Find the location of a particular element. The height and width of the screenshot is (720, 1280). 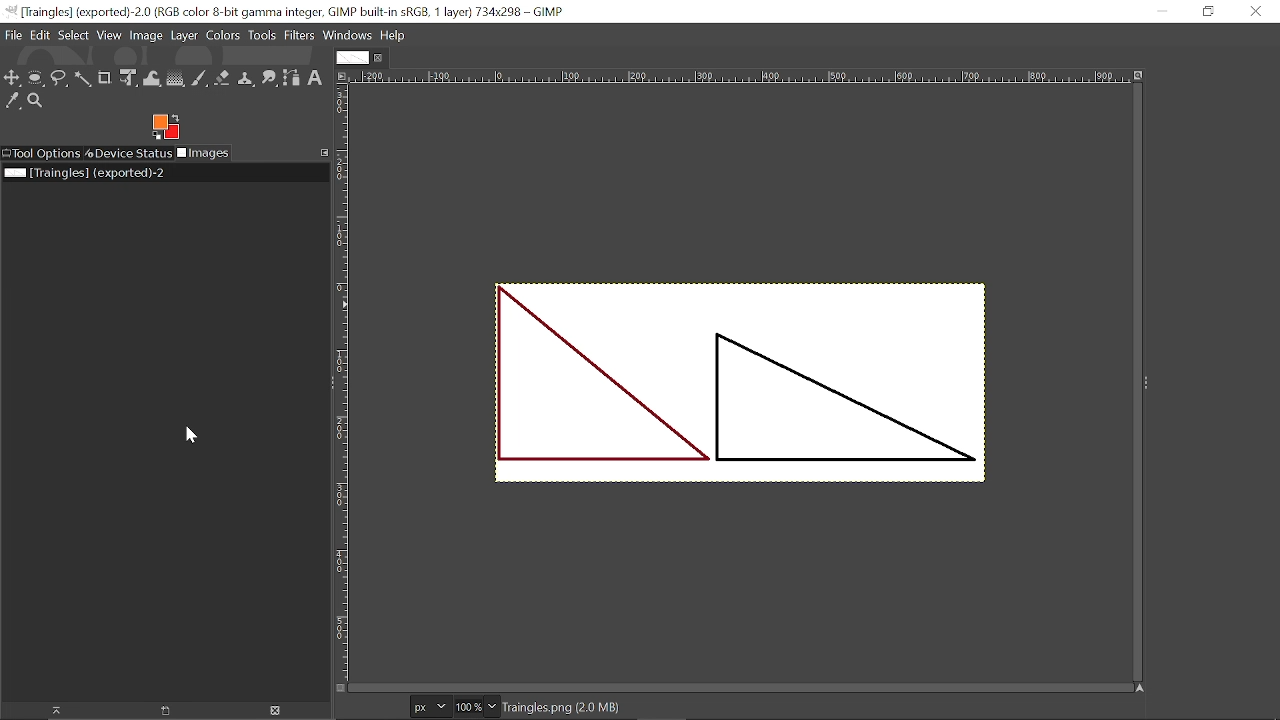

Raise this image's displays is located at coordinates (57, 710).